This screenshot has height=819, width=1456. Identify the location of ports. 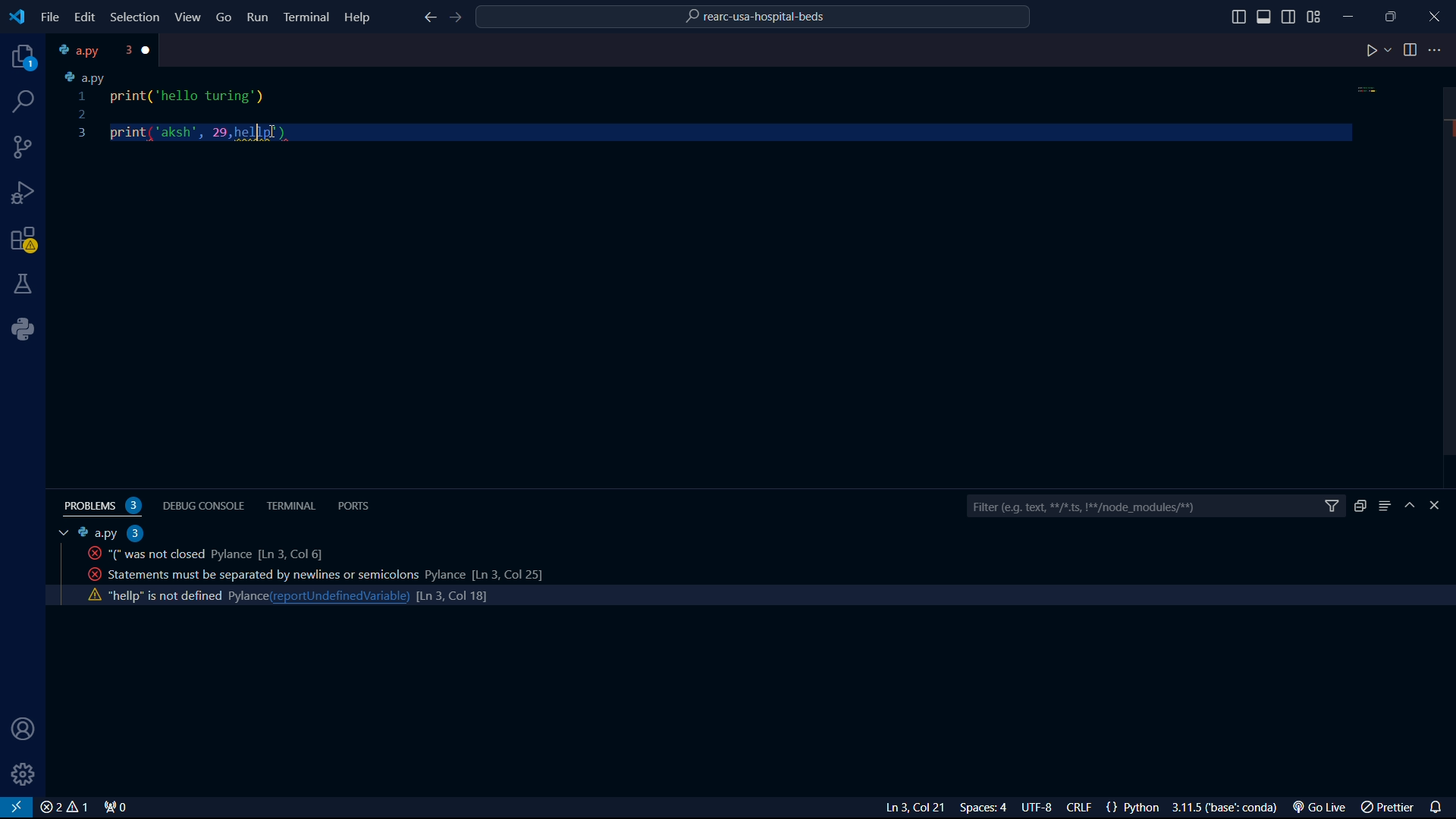
(357, 505).